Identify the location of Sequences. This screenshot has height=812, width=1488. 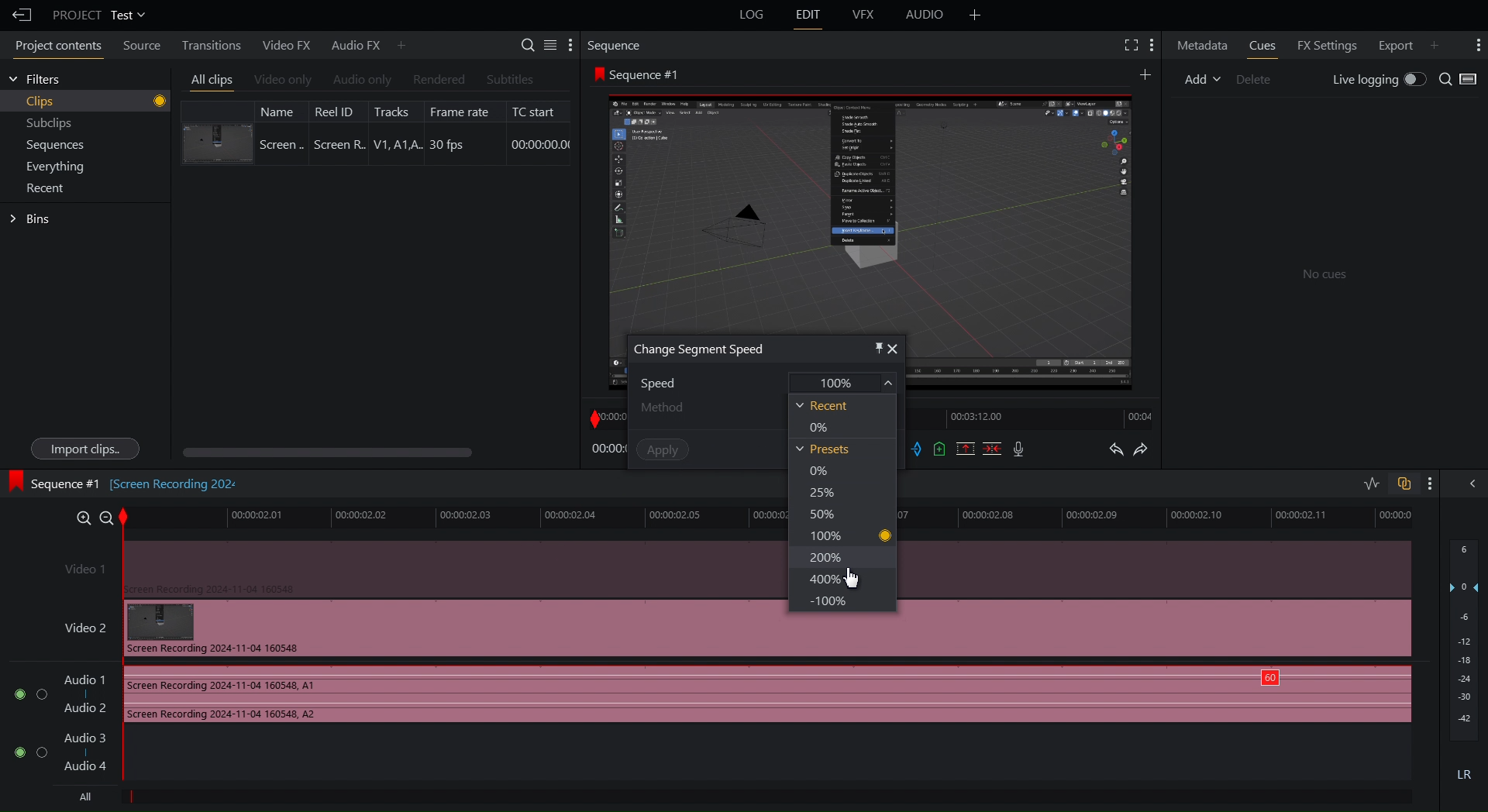
(56, 146).